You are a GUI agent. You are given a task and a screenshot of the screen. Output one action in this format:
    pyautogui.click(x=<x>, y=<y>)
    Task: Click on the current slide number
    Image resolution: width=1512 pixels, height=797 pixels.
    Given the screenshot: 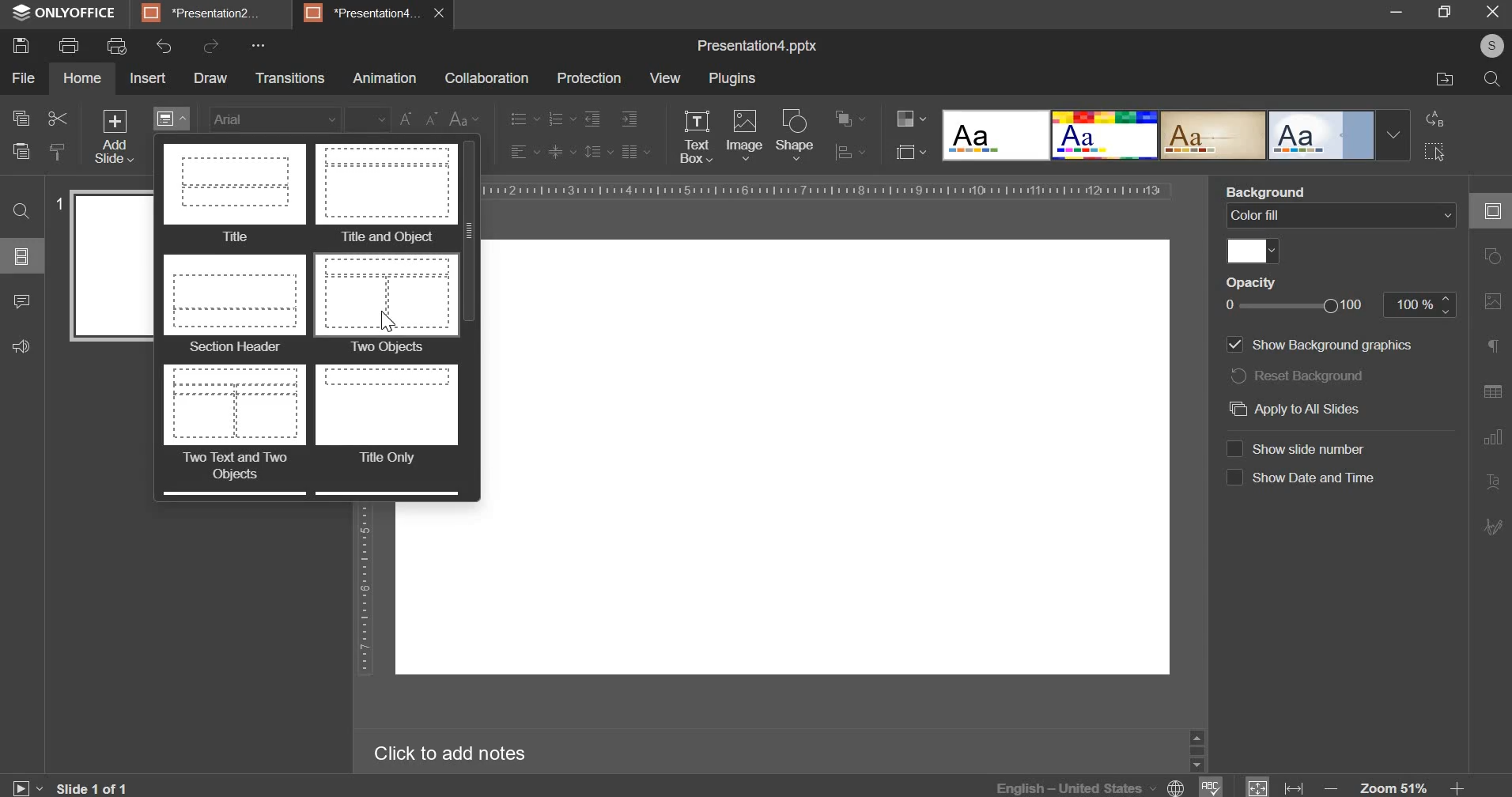 What is the action you would take?
    pyautogui.click(x=96, y=788)
    